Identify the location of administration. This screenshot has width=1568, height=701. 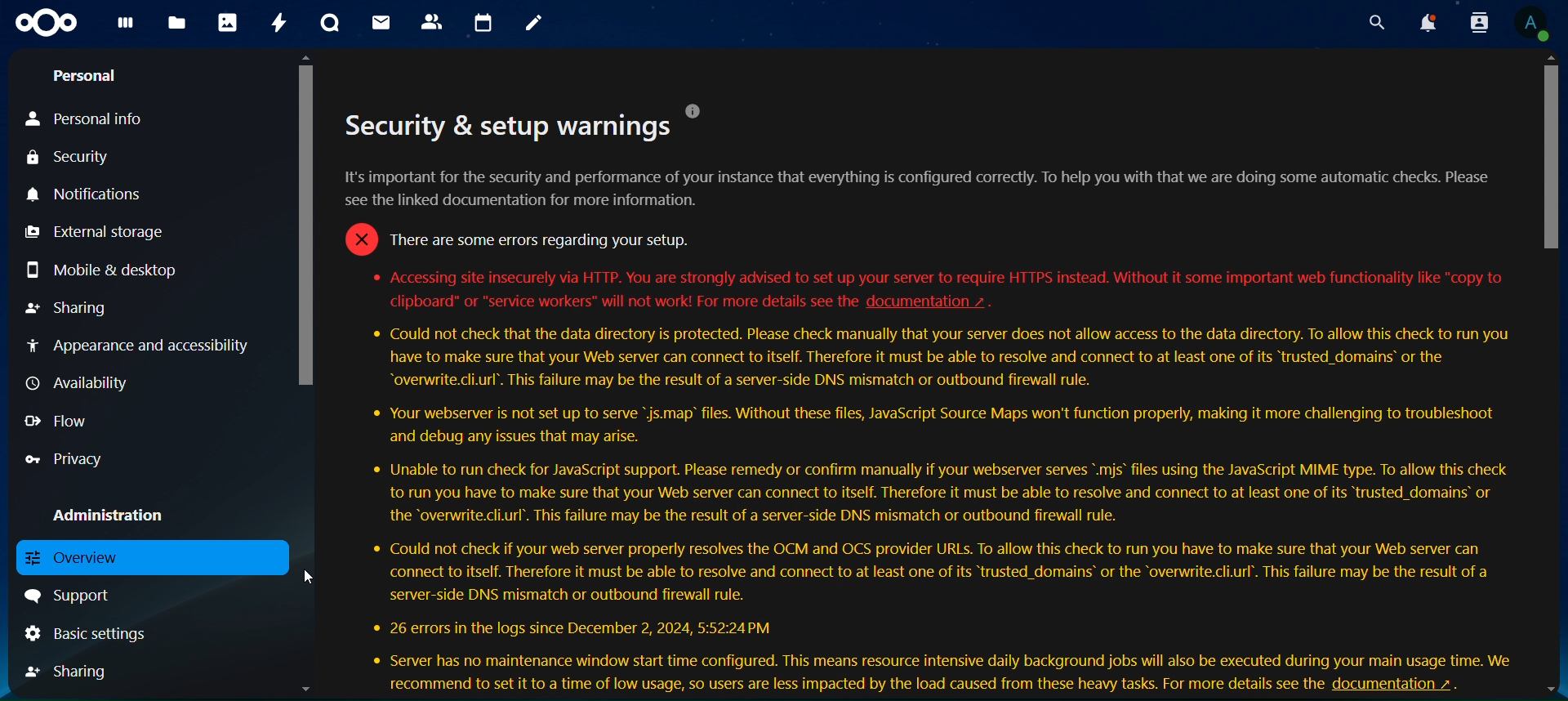
(109, 517).